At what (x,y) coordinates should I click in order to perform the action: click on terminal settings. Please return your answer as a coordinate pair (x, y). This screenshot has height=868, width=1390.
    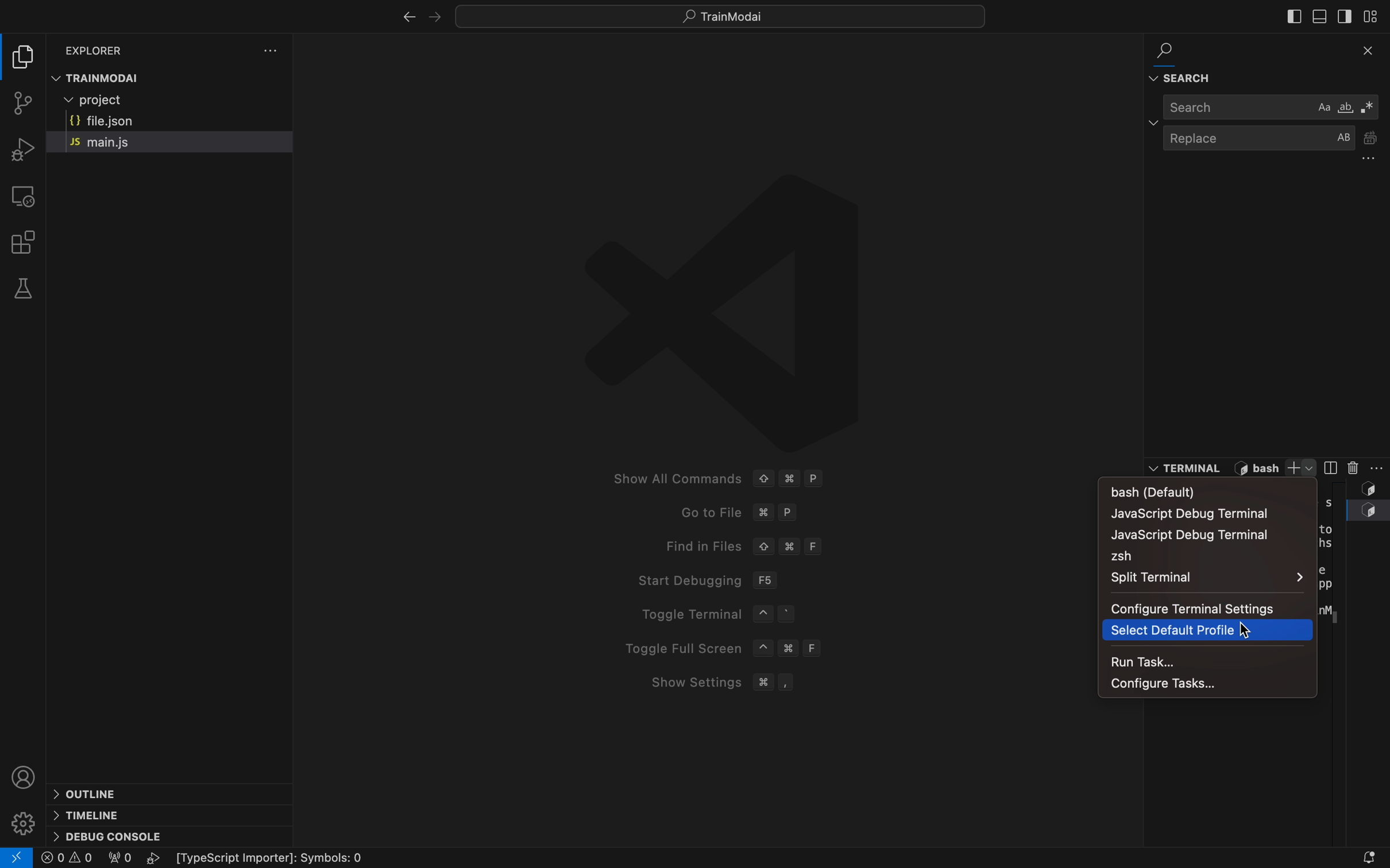
    Looking at the image, I should click on (1378, 468).